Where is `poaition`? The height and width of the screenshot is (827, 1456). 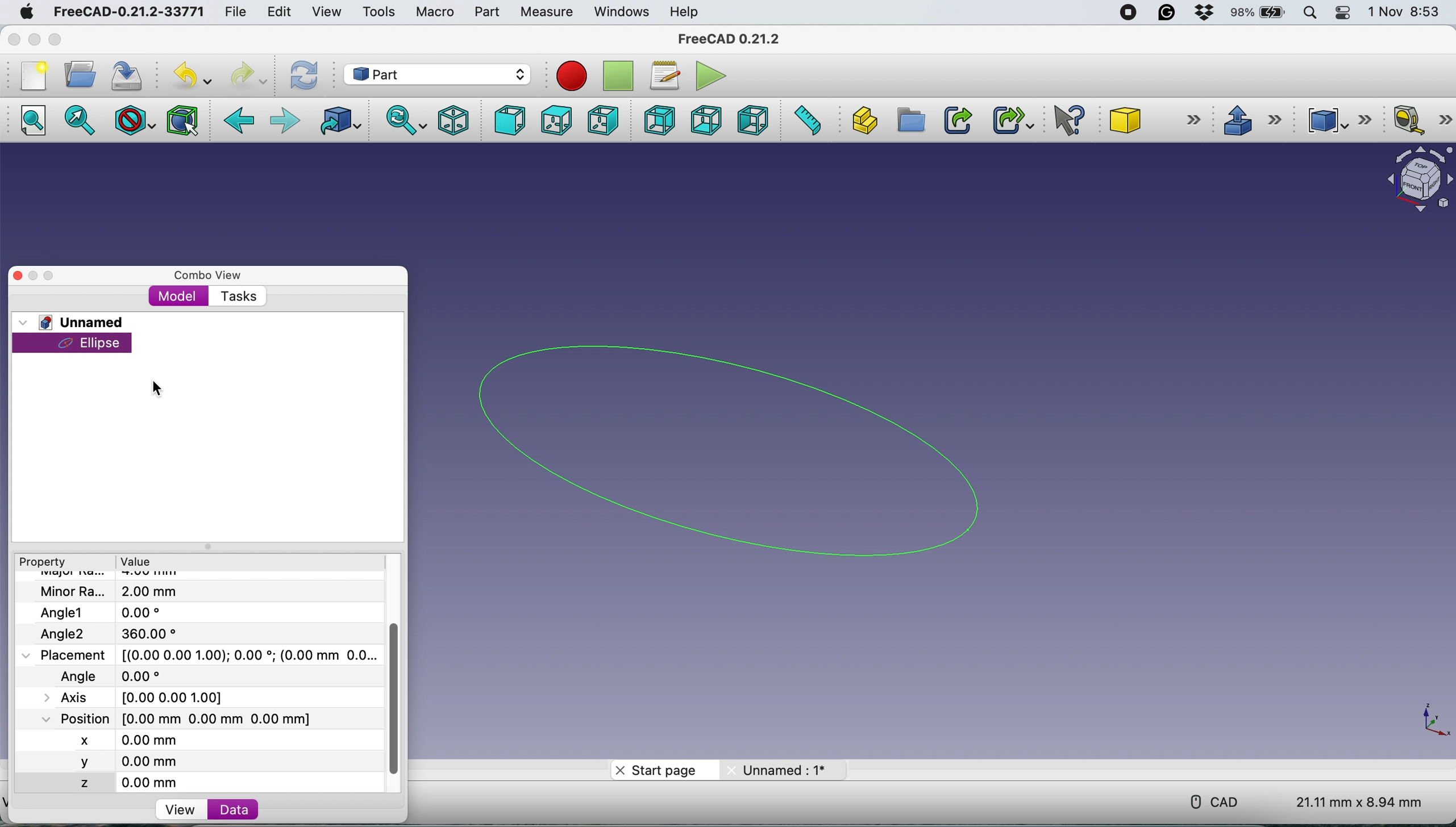 poaition is located at coordinates (207, 718).